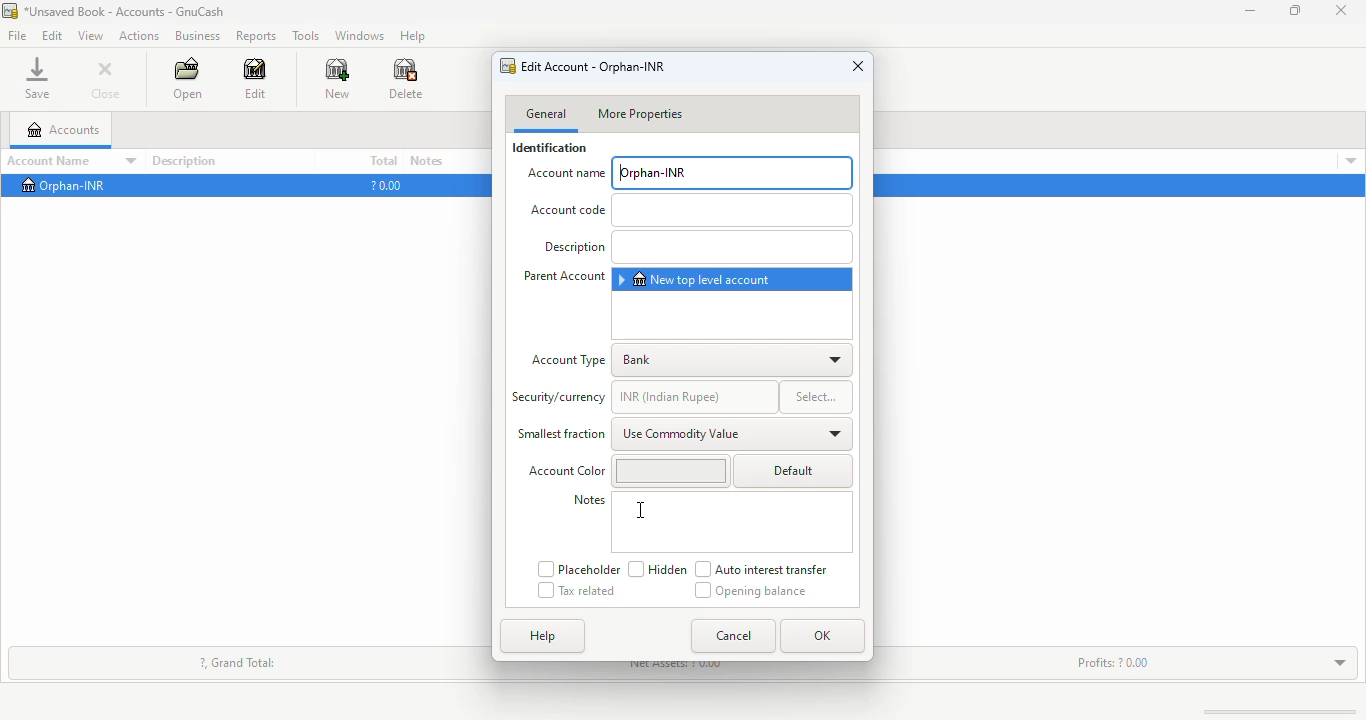 This screenshot has height=720, width=1366. Describe the element at coordinates (140, 36) in the screenshot. I see `actions` at that location.